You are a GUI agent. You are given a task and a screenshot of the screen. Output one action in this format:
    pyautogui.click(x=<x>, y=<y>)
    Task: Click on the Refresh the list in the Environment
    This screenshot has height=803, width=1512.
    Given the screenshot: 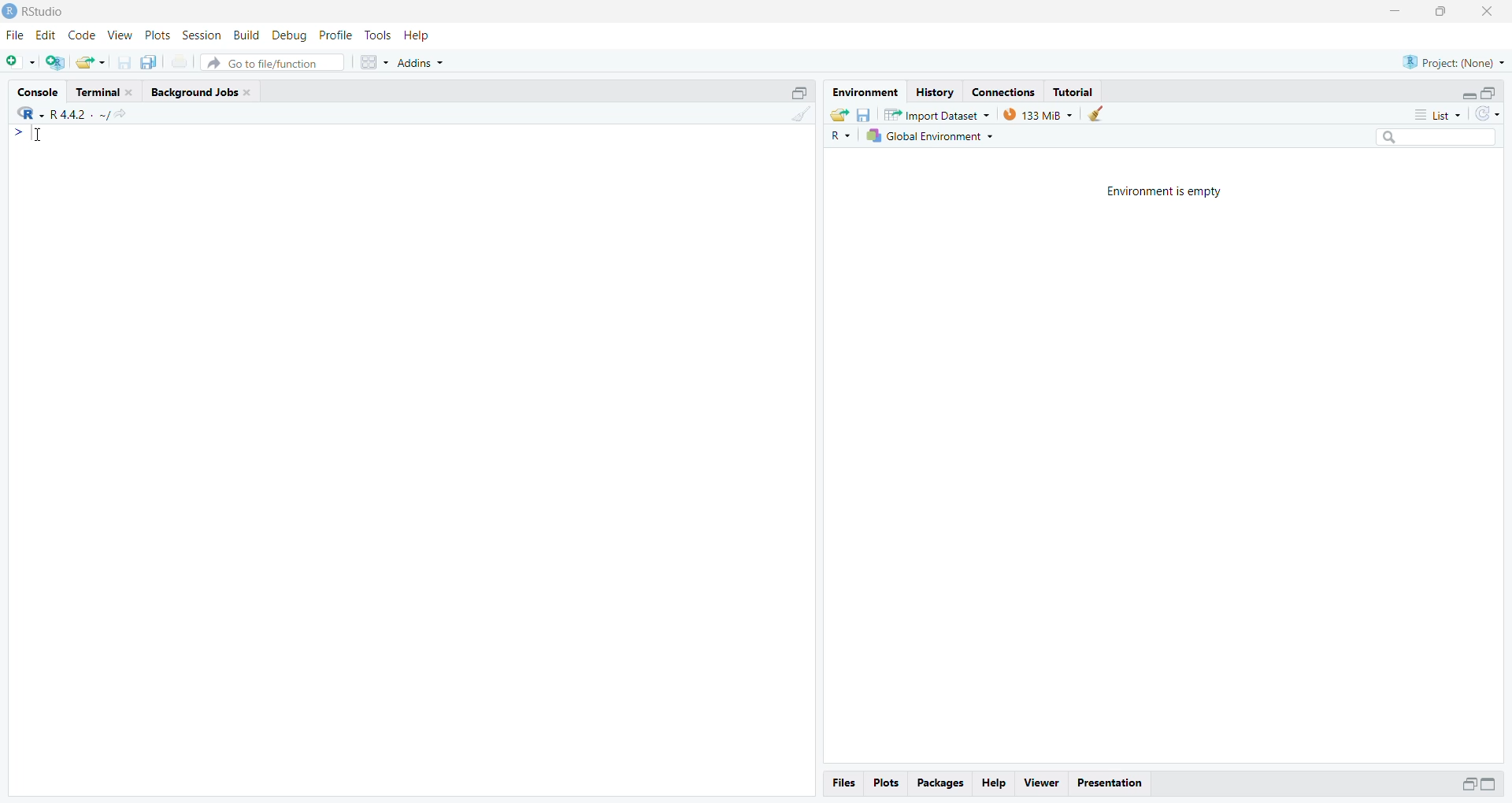 What is the action you would take?
    pyautogui.click(x=1488, y=116)
    